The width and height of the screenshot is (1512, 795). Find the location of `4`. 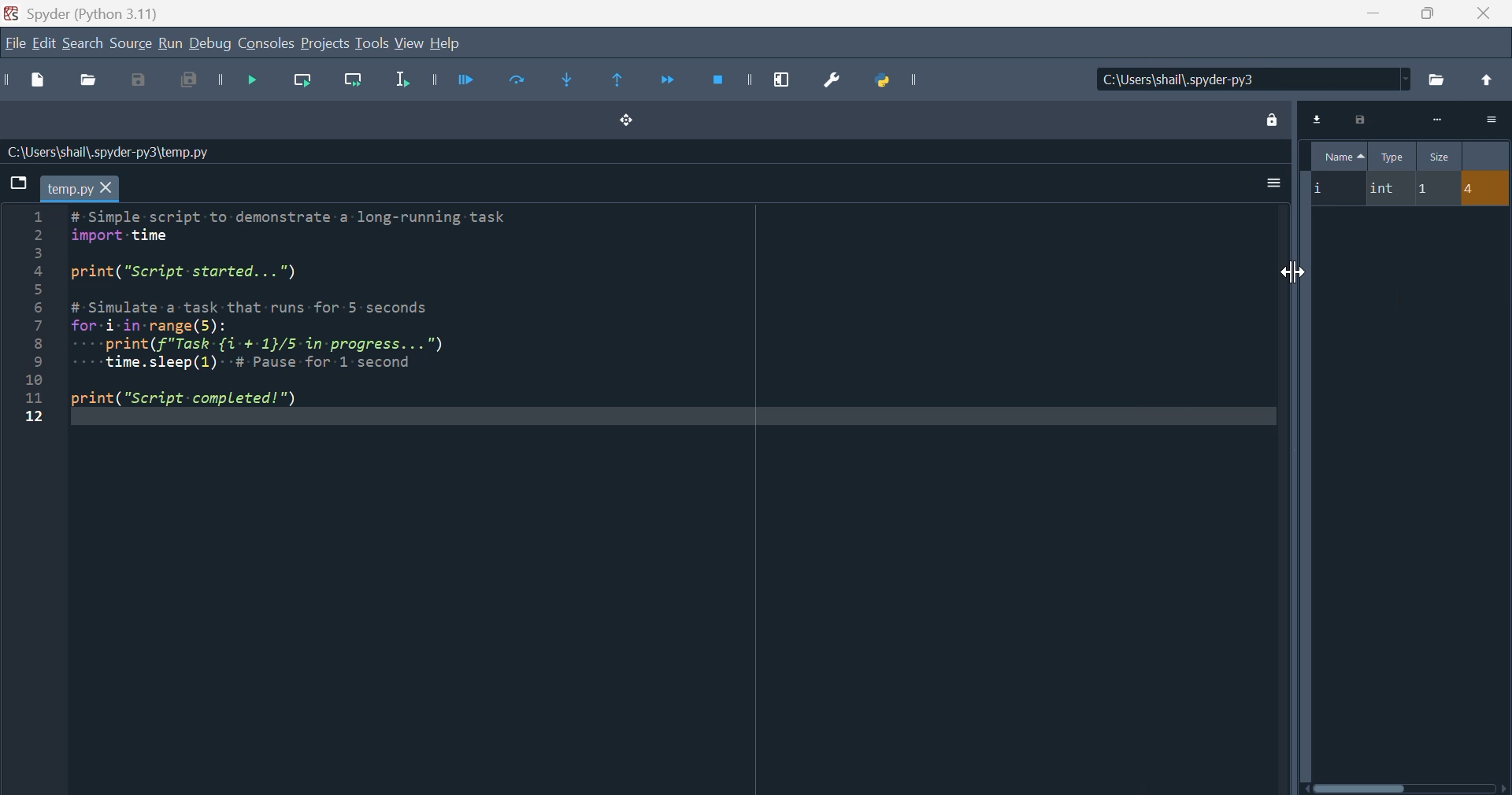

4 is located at coordinates (1484, 189).